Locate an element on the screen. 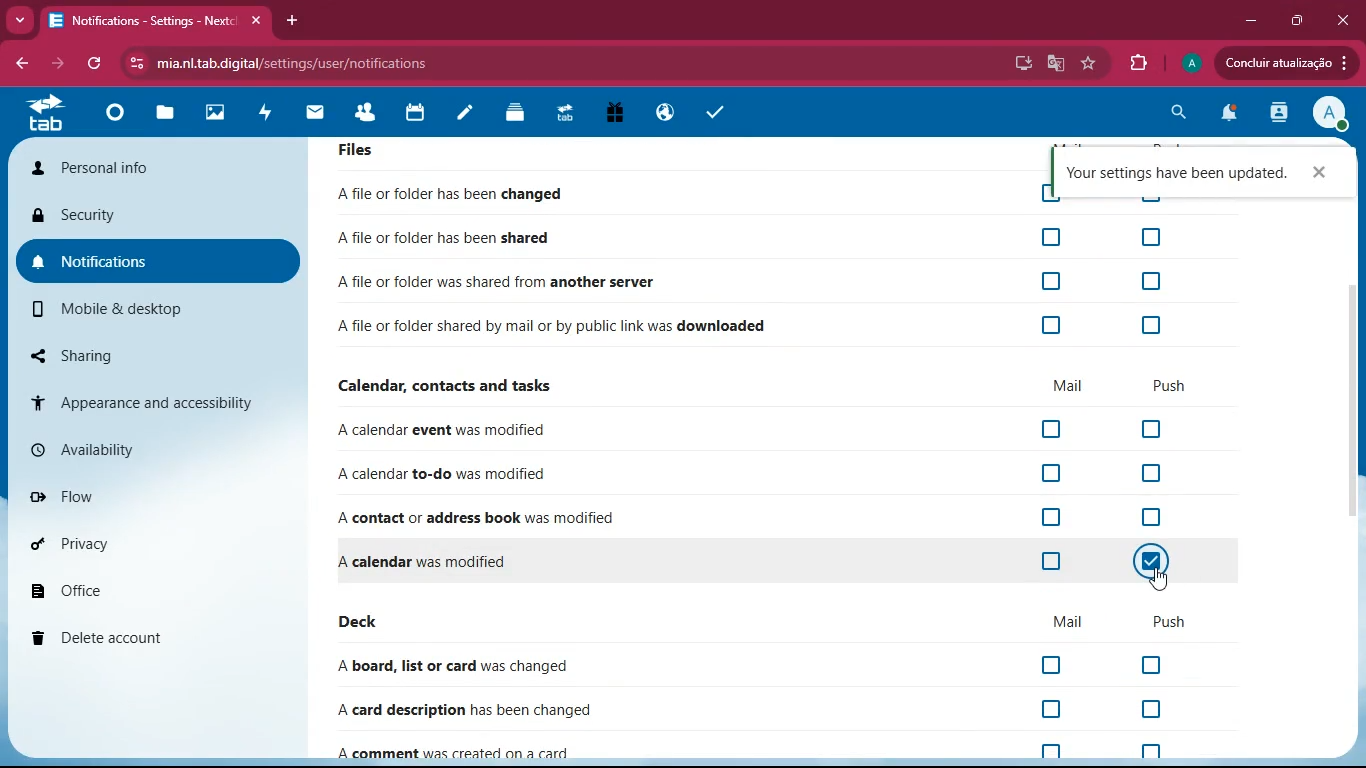 The height and width of the screenshot is (768, 1366). off is located at coordinates (1047, 473).